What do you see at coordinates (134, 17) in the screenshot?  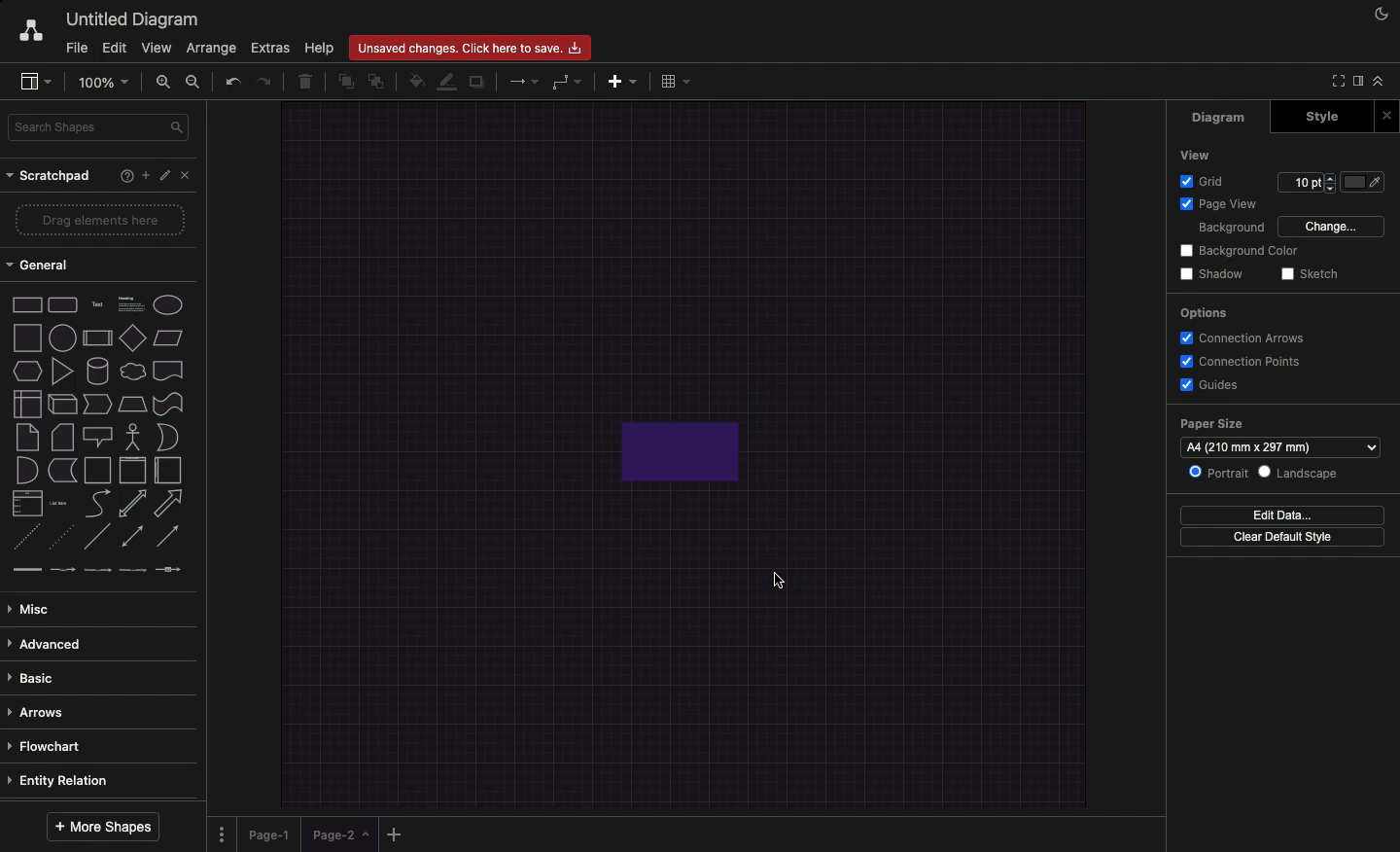 I see `Untitled diagram ` at bounding box center [134, 17].